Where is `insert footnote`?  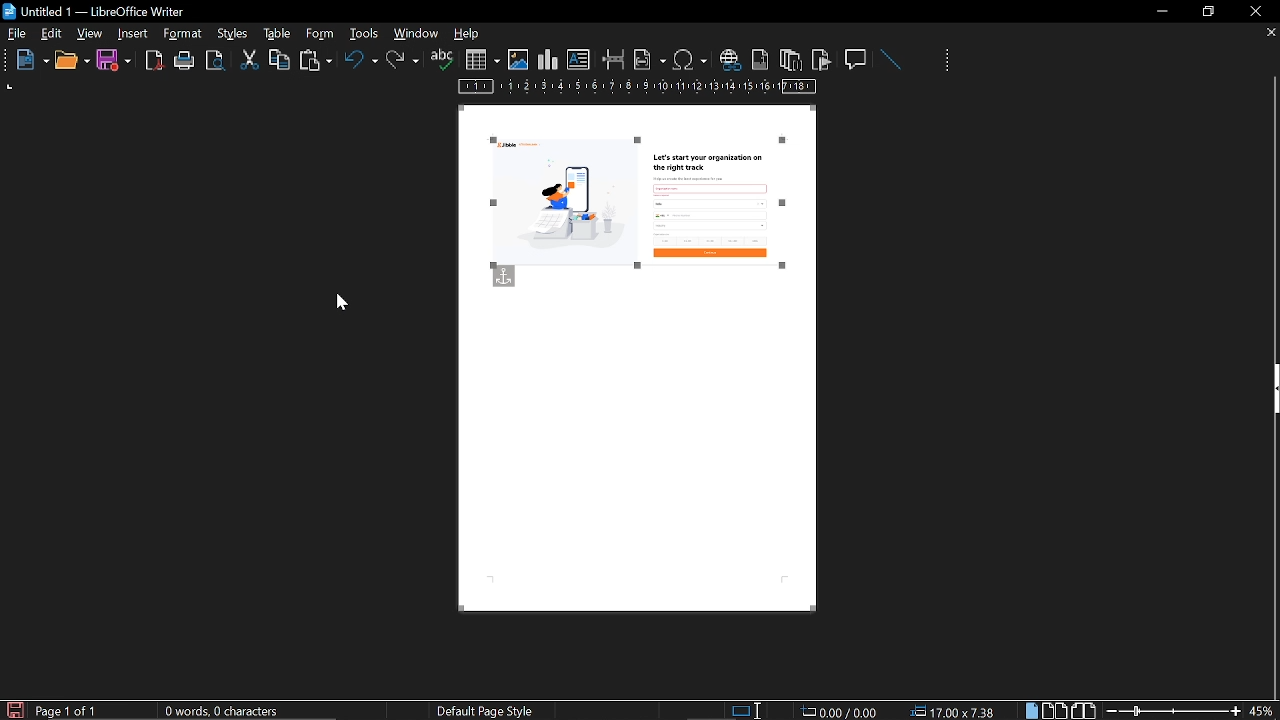
insert footnote is located at coordinates (758, 59).